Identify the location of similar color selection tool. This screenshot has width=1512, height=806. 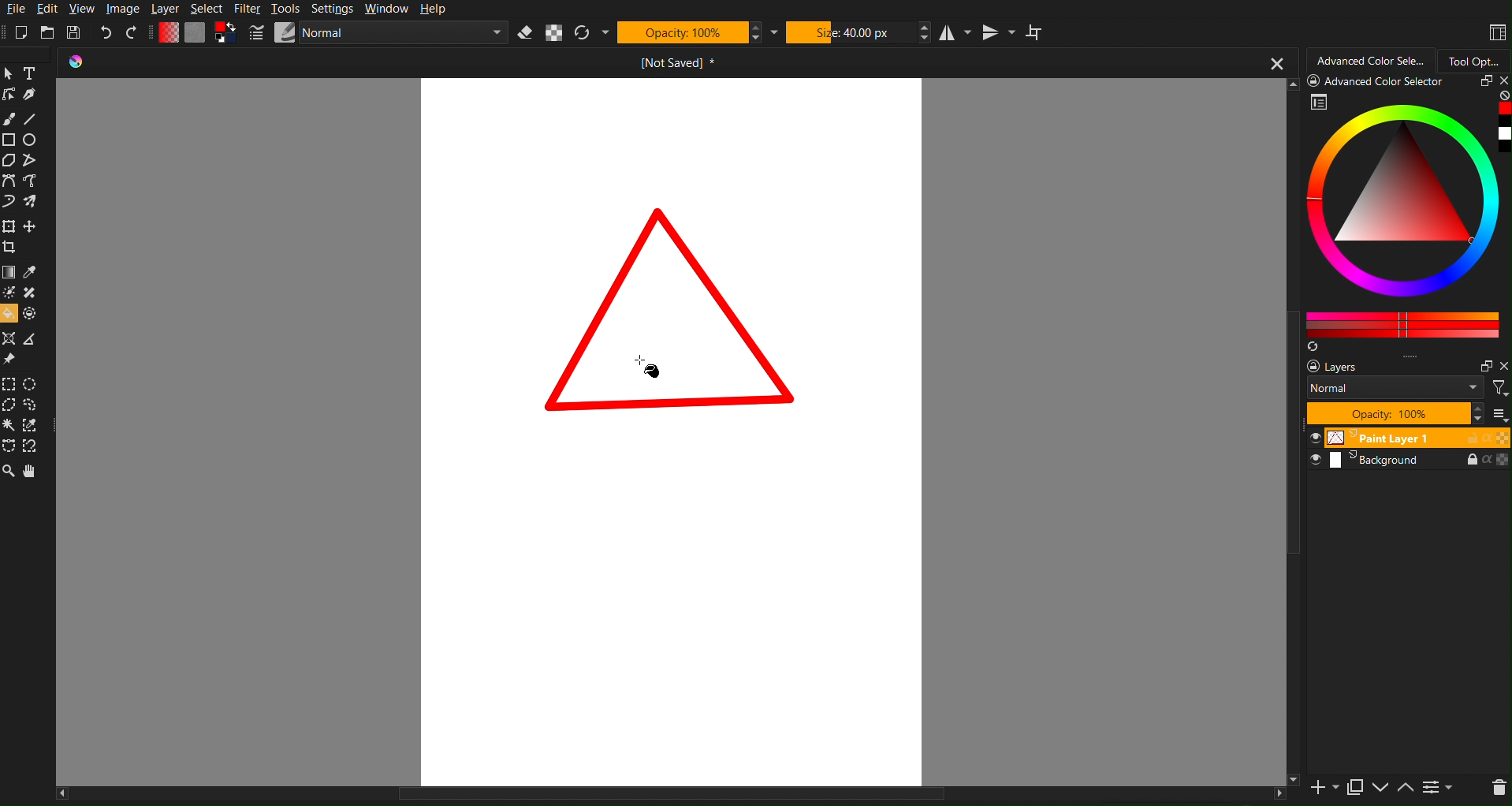
(35, 425).